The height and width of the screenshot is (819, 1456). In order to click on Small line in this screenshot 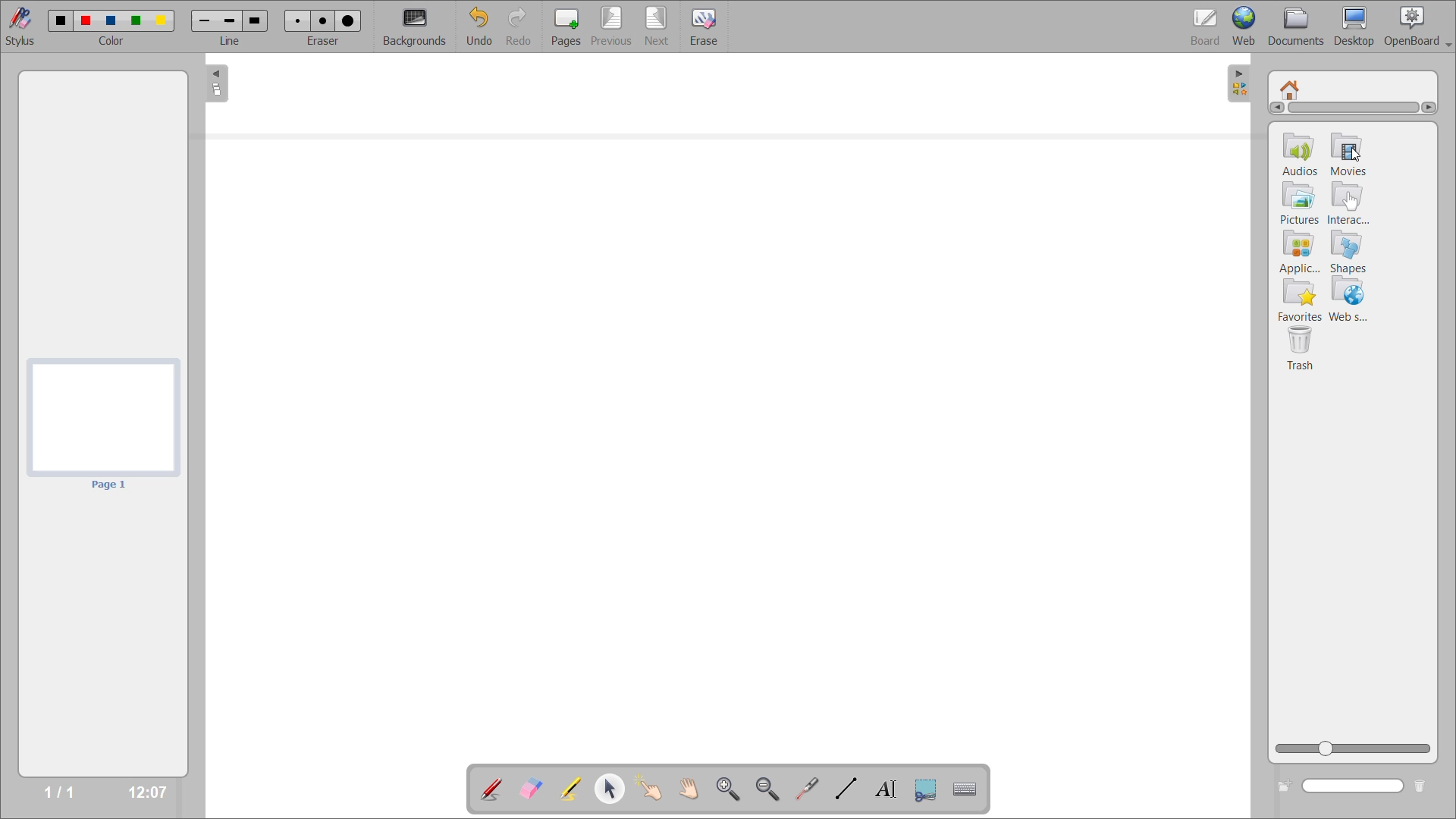, I will do `click(202, 20)`.